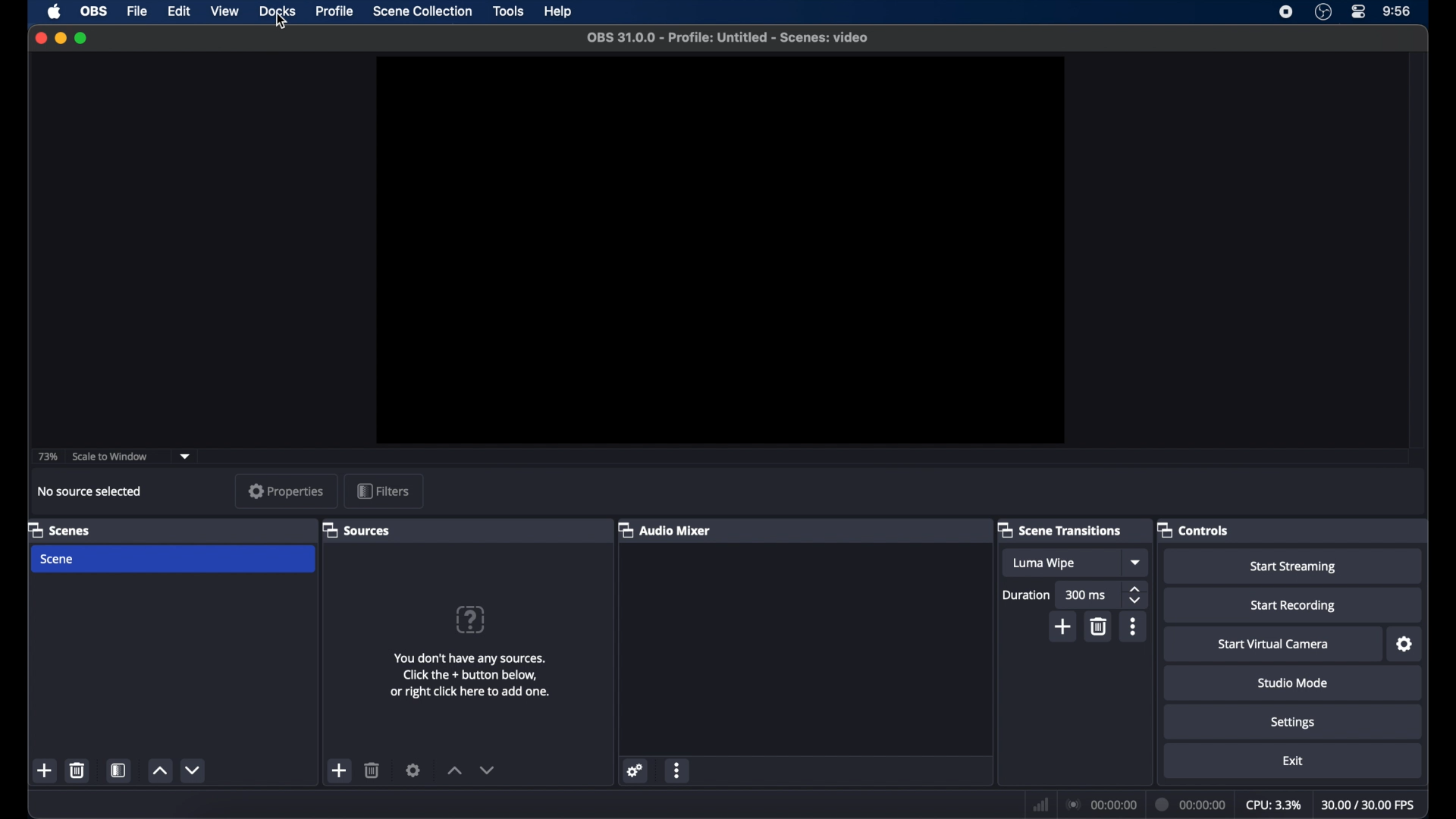 Image resolution: width=1456 pixels, height=819 pixels. What do you see at coordinates (119, 770) in the screenshot?
I see `scene filters` at bounding box center [119, 770].